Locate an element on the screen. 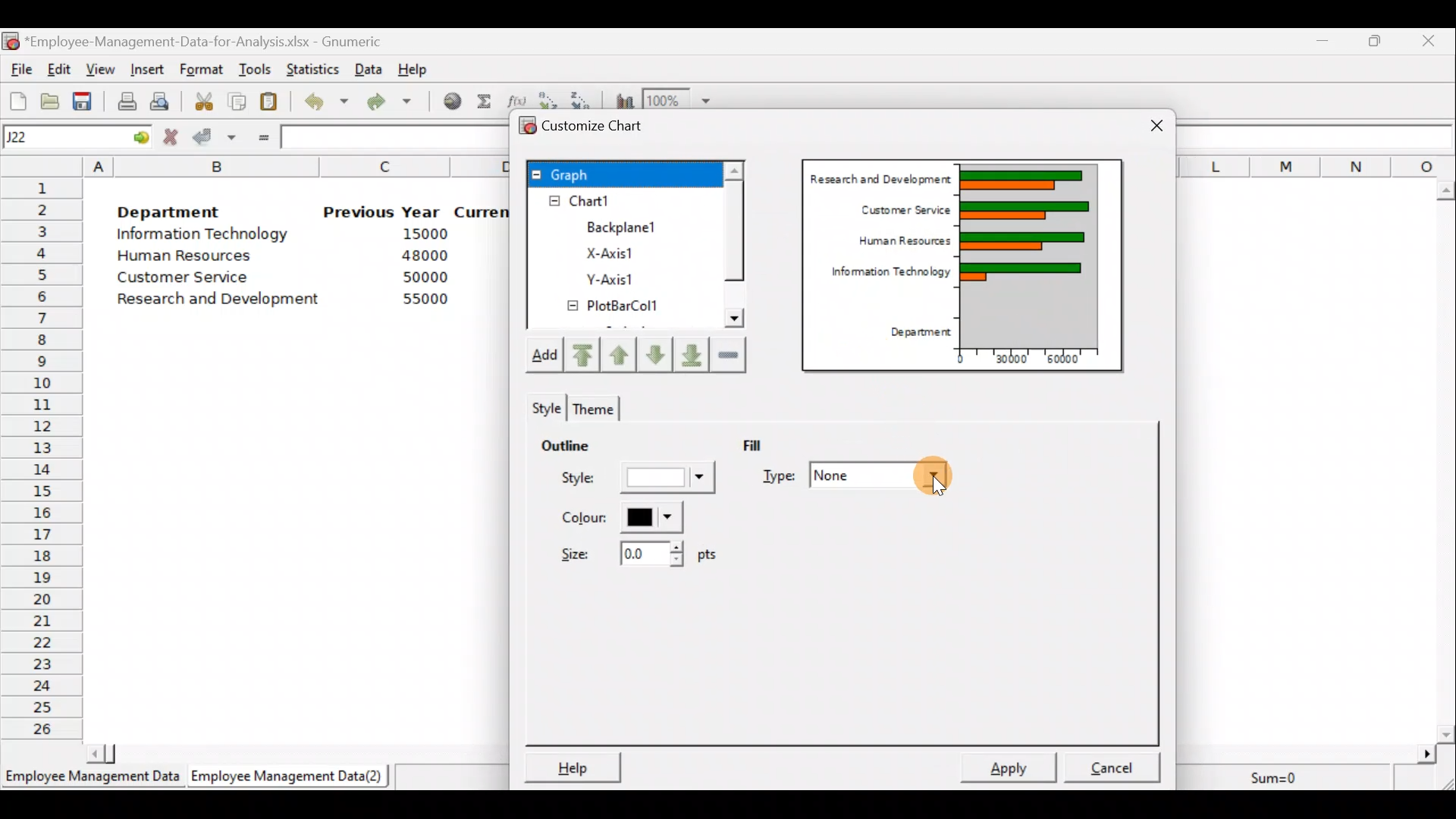  55000 is located at coordinates (423, 300).